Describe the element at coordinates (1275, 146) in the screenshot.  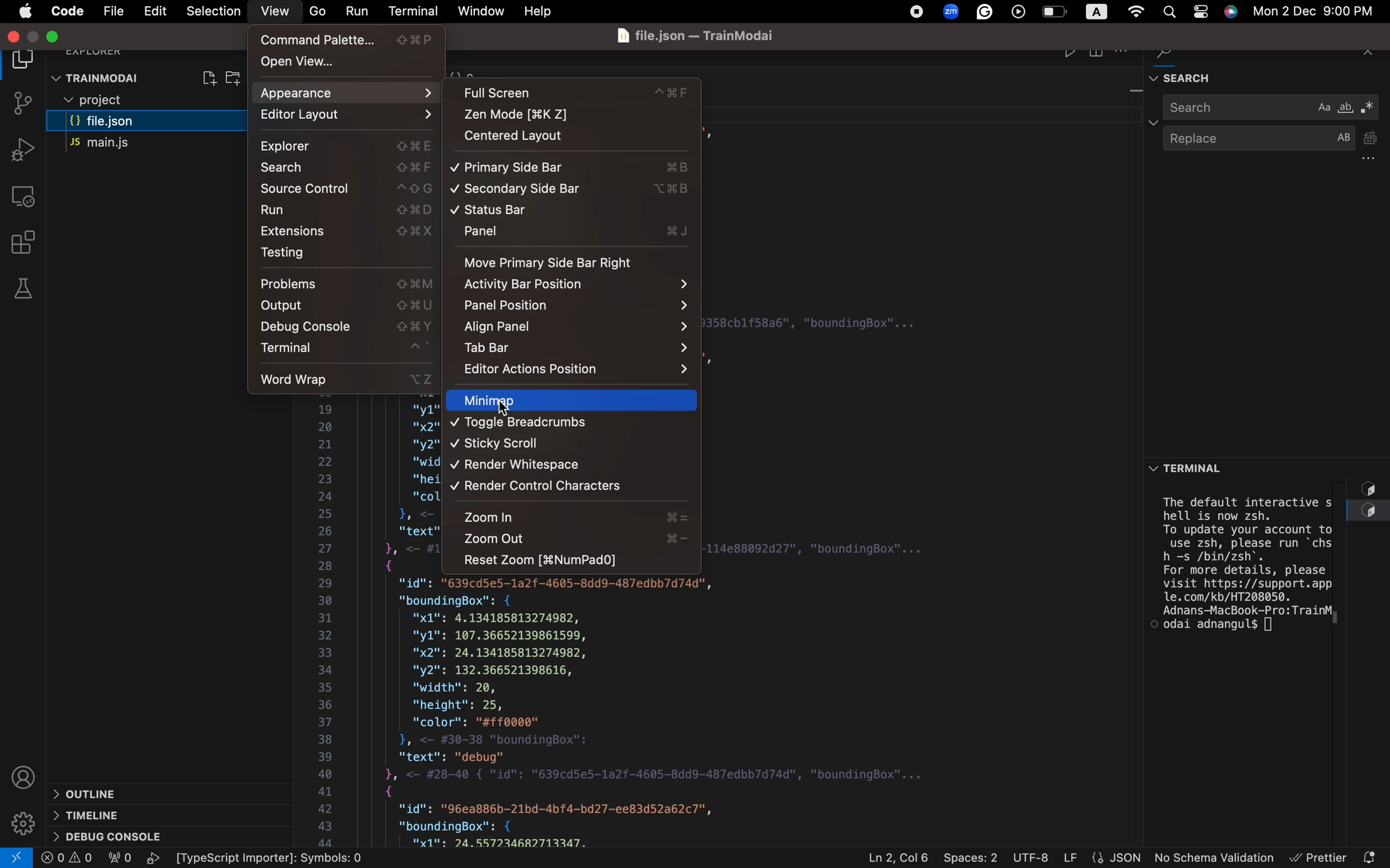
I see `replace` at that location.